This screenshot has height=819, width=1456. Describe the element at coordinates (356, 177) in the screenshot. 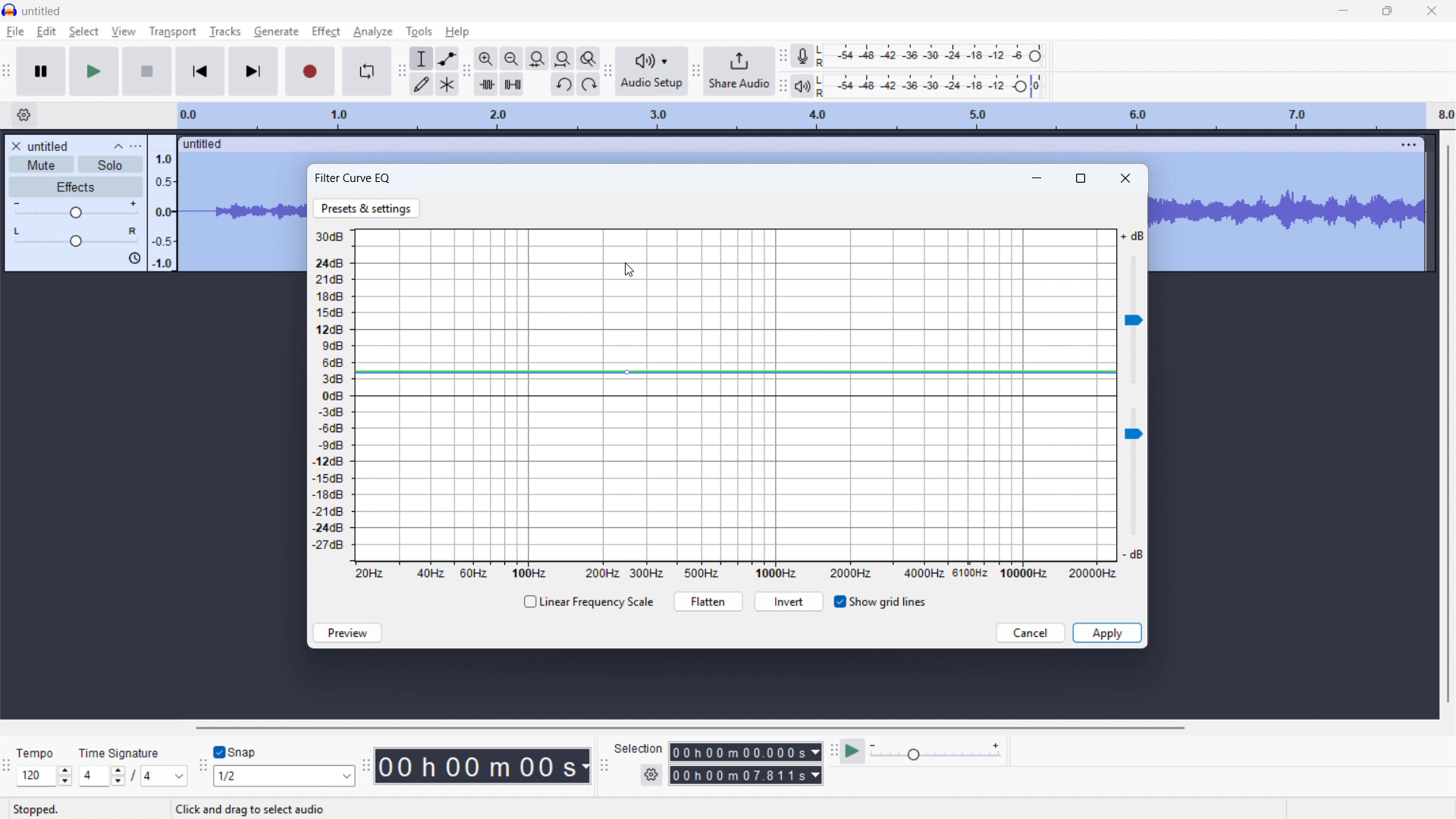

I see `filter curve EQ` at that location.